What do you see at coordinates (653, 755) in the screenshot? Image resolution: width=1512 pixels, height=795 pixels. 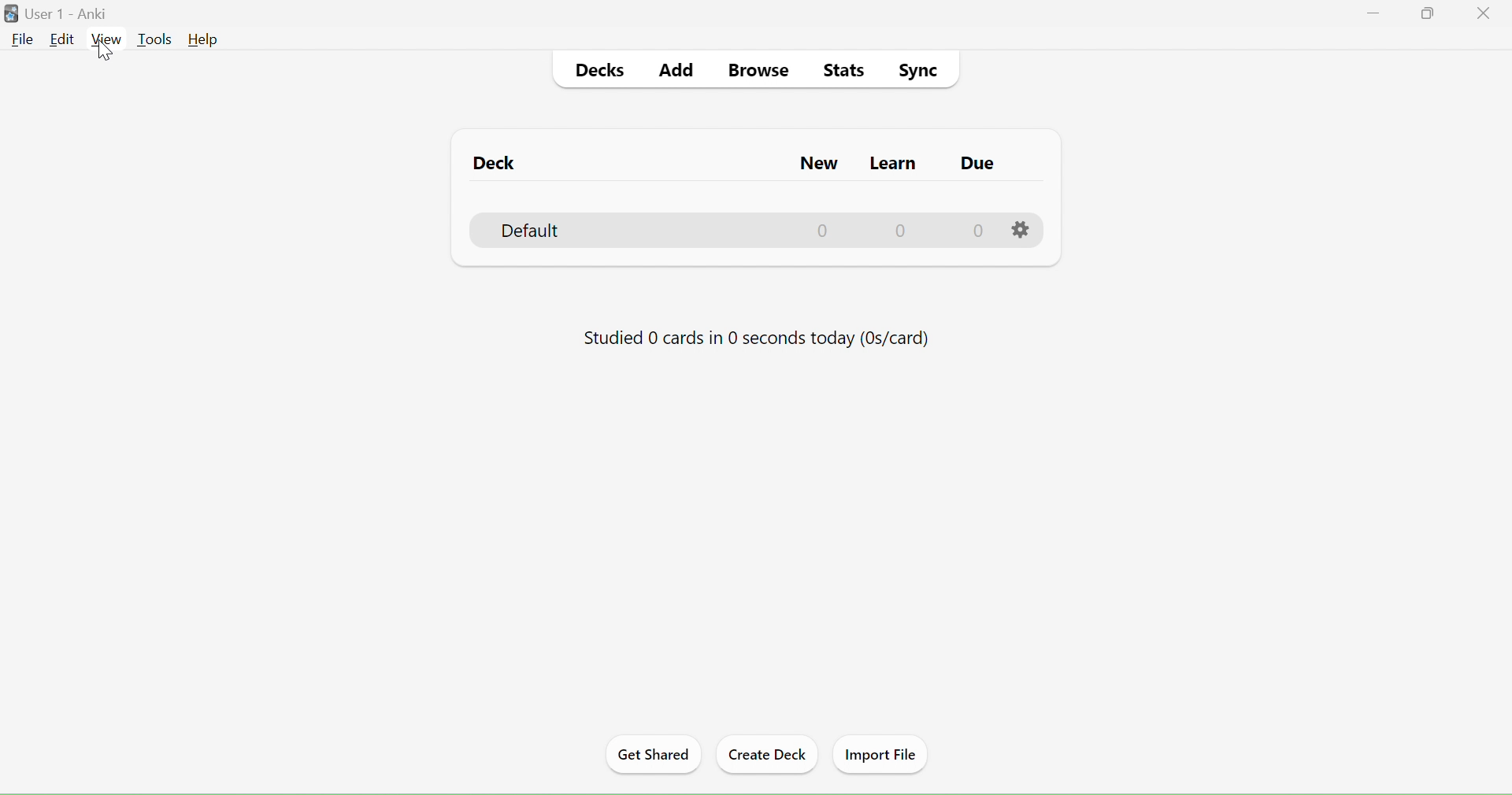 I see `get shared` at bounding box center [653, 755].